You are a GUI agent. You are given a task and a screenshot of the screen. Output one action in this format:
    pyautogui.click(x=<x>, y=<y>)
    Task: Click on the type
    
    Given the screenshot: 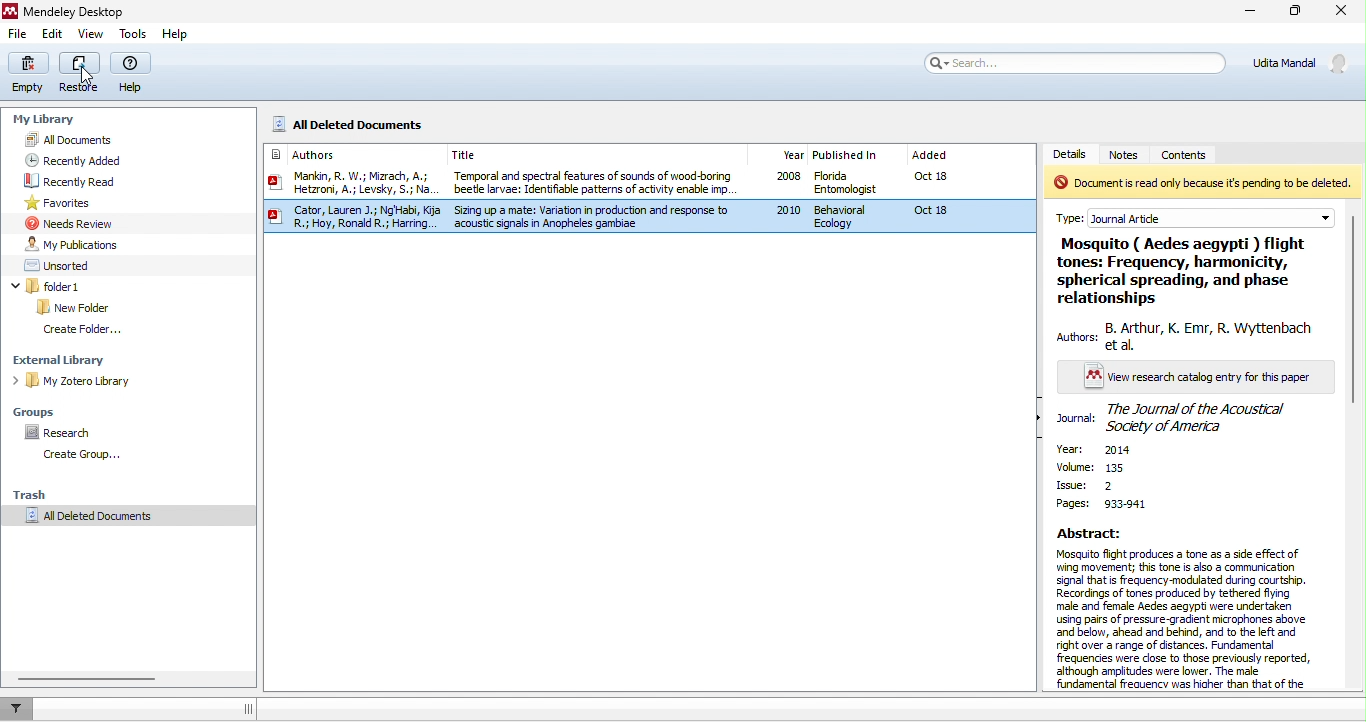 What is the action you would take?
    pyautogui.click(x=1205, y=214)
    